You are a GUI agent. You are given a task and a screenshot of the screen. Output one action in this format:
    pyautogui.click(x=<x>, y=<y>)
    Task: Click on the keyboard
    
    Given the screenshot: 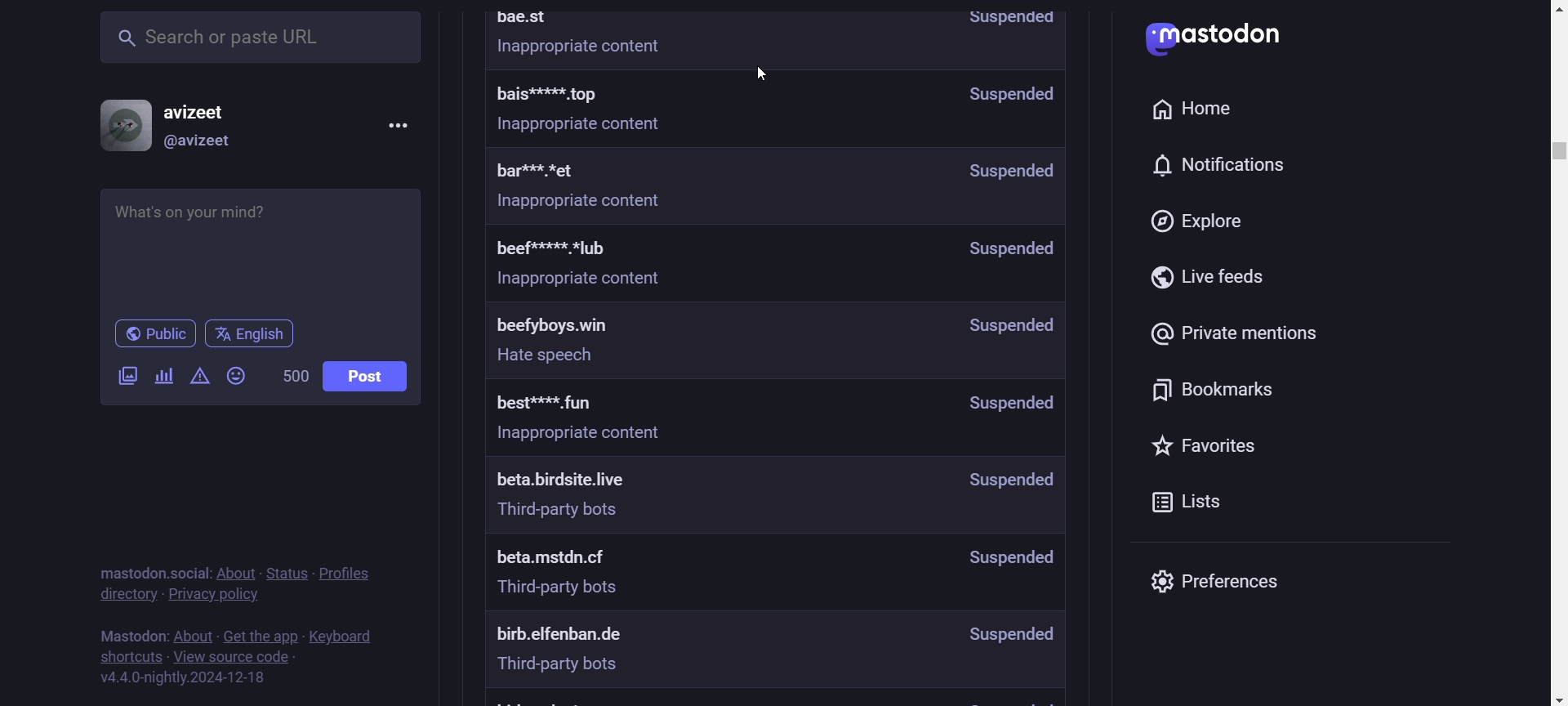 What is the action you would take?
    pyautogui.click(x=345, y=634)
    